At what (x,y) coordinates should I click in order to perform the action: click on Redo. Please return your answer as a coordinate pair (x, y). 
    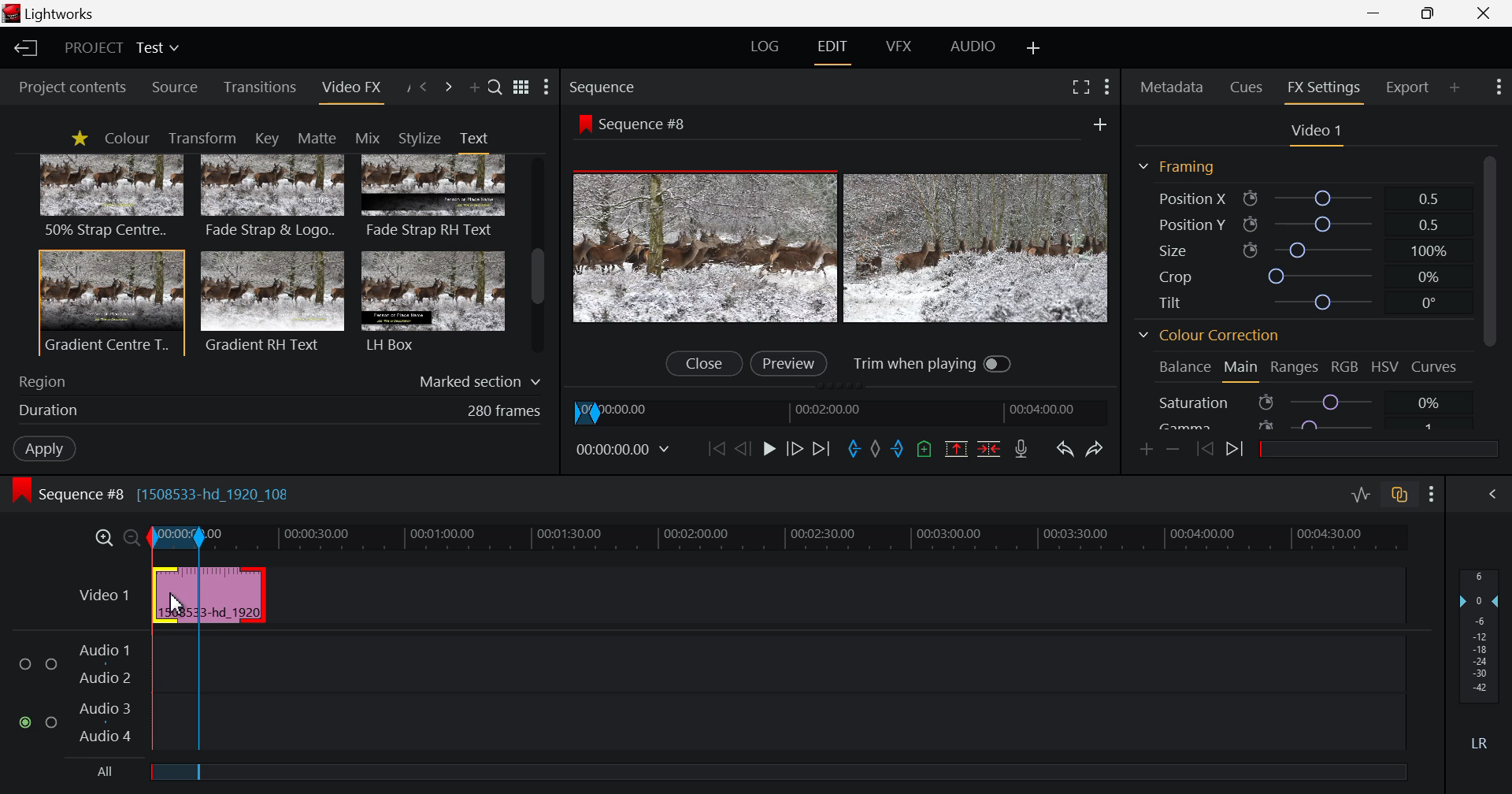
    Looking at the image, I should click on (1097, 447).